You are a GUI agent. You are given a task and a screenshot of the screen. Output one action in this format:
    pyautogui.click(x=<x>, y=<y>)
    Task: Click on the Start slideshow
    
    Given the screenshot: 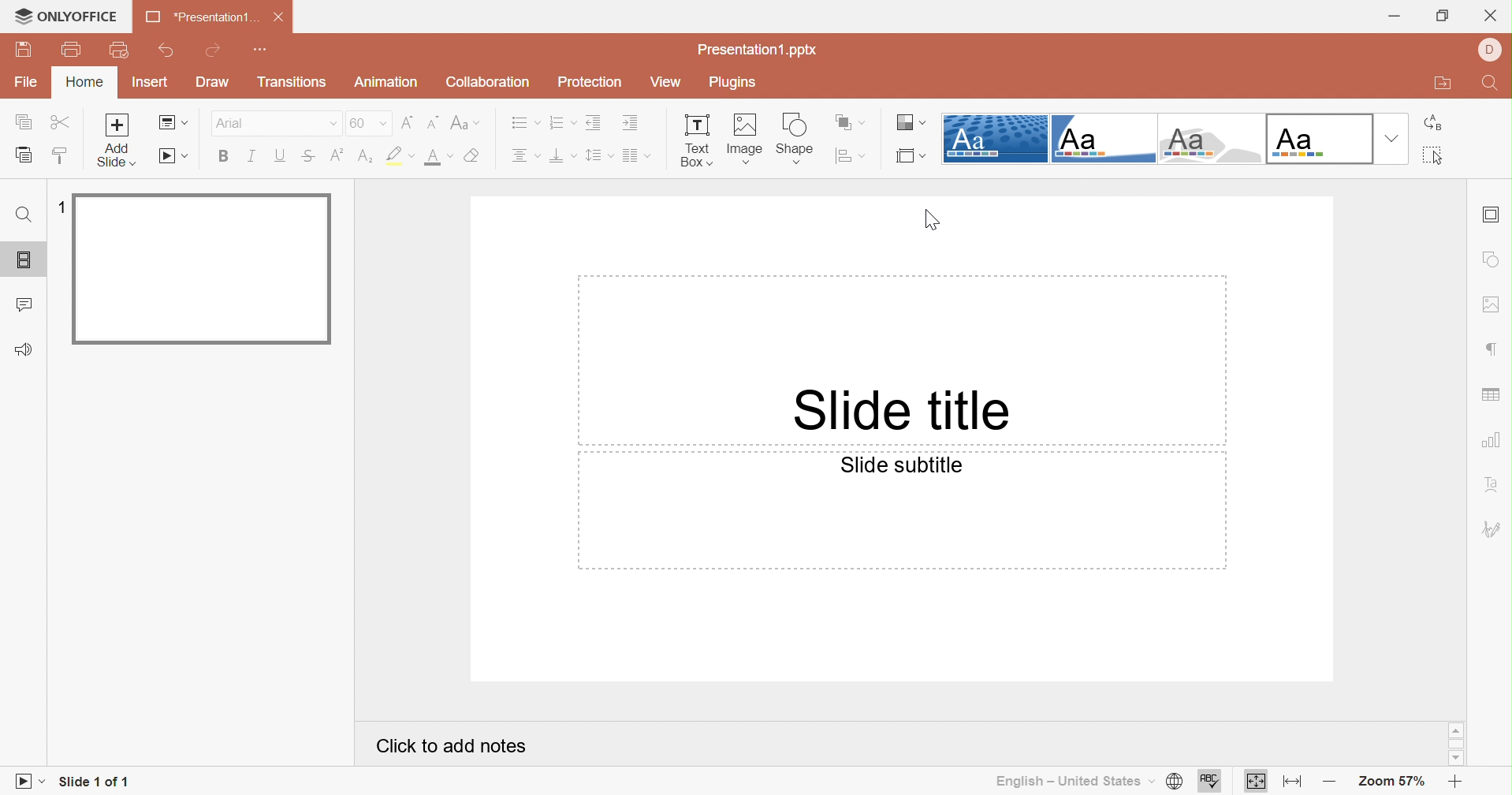 What is the action you would take?
    pyautogui.click(x=172, y=155)
    